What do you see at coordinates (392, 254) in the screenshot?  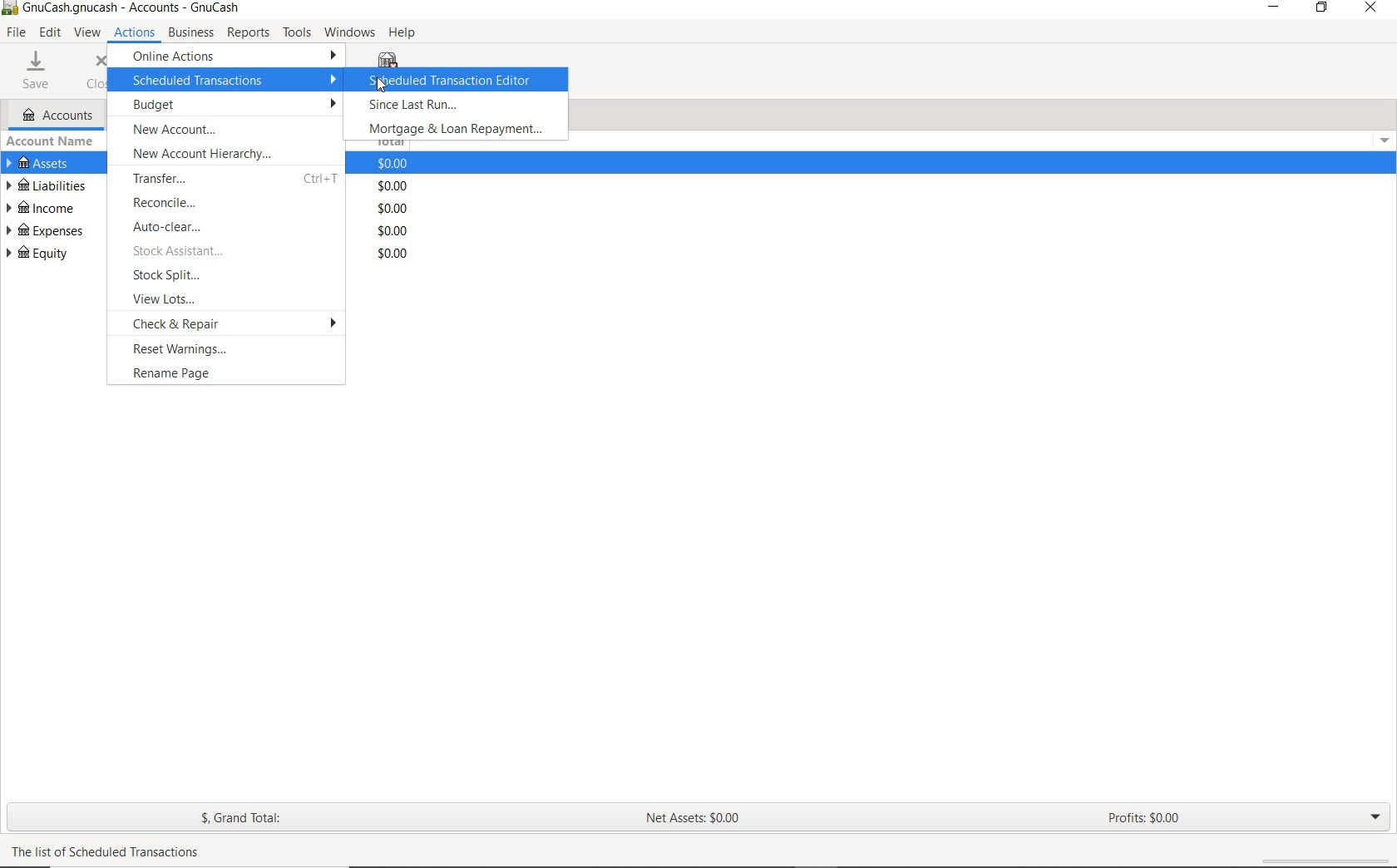 I see `total` at bounding box center [392, 254].